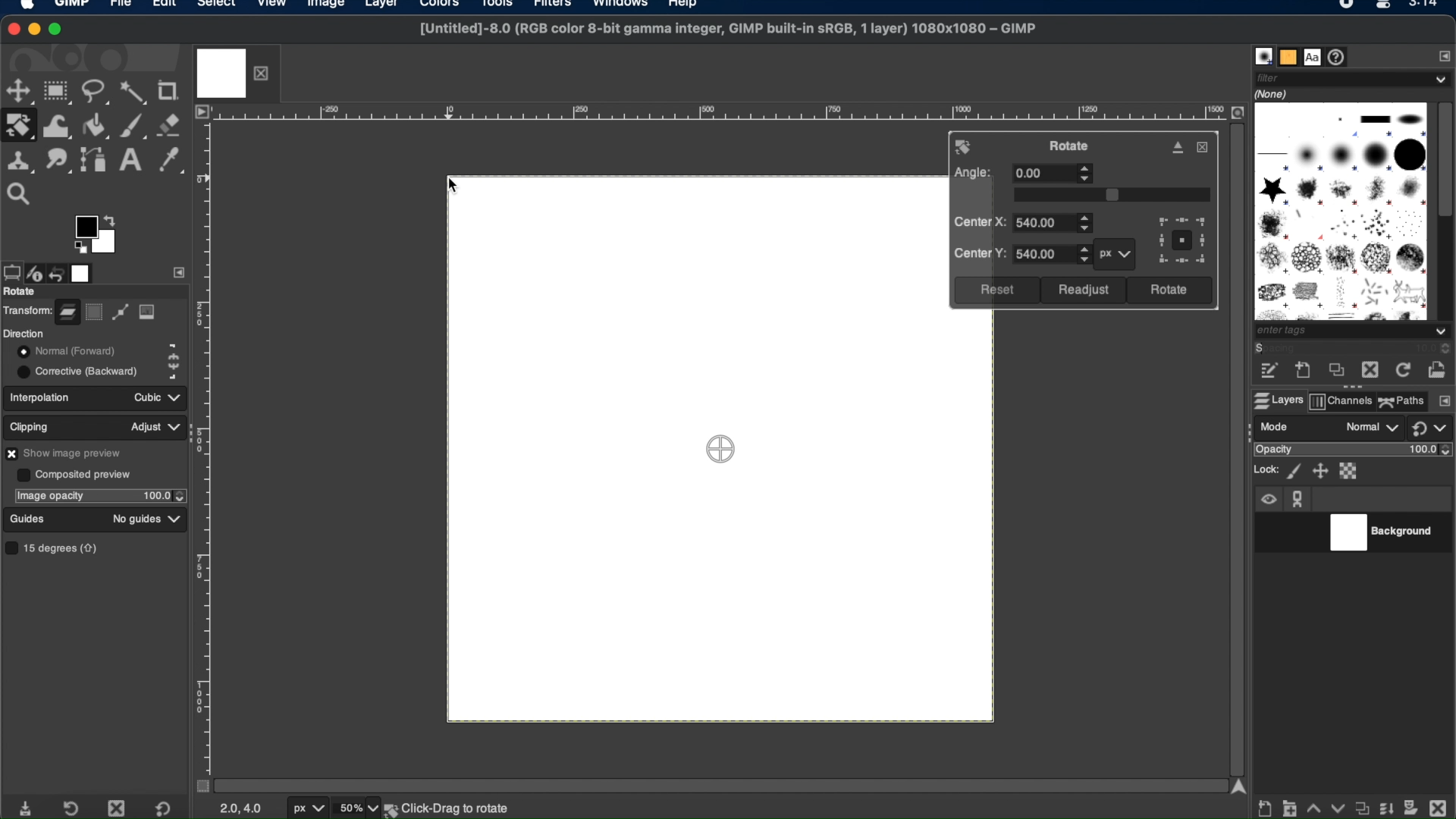 This screenshot has height=819, width=1456. Describe the element at coordinates (171, 90) in the screenshot. I see `crop tool` at that location.